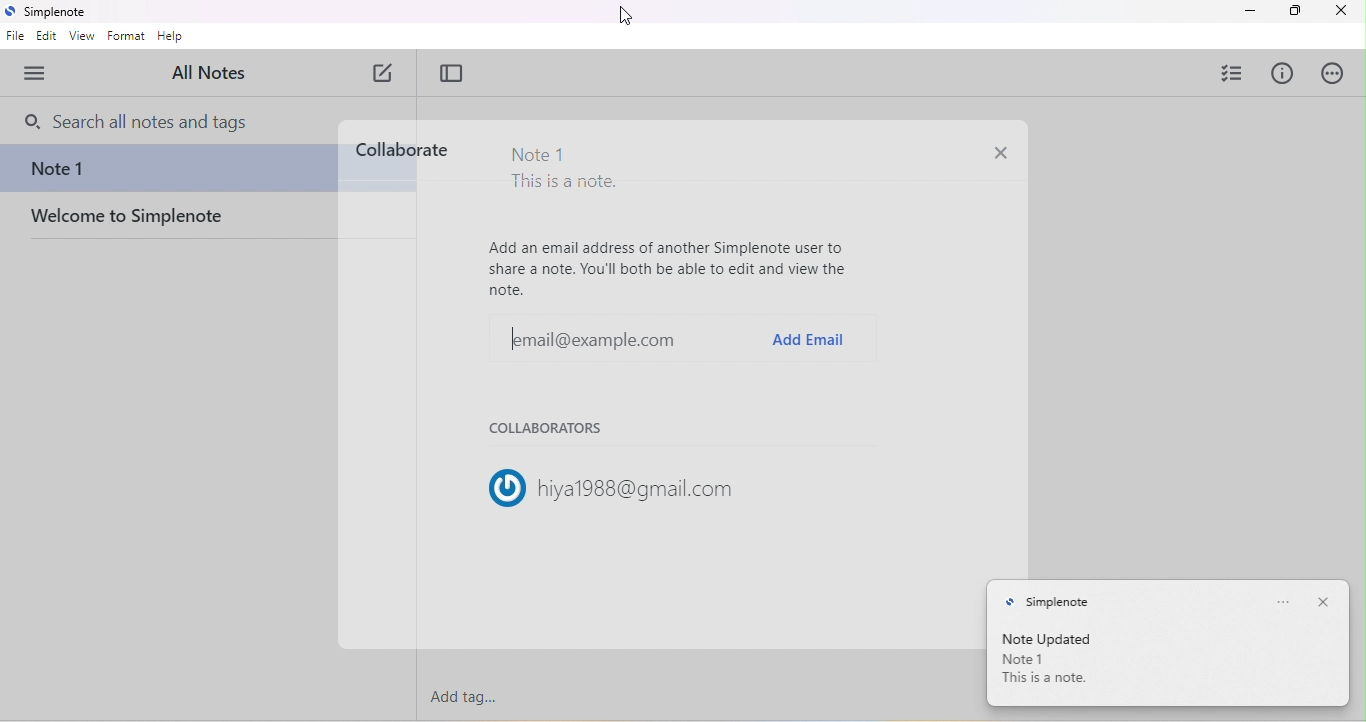 This screenshot has width=1366, height=722. What do you see at coordinates (511, 337) in the screenshot?
I see `typing cursor on email@example.com` at bounding box center [511, 337].